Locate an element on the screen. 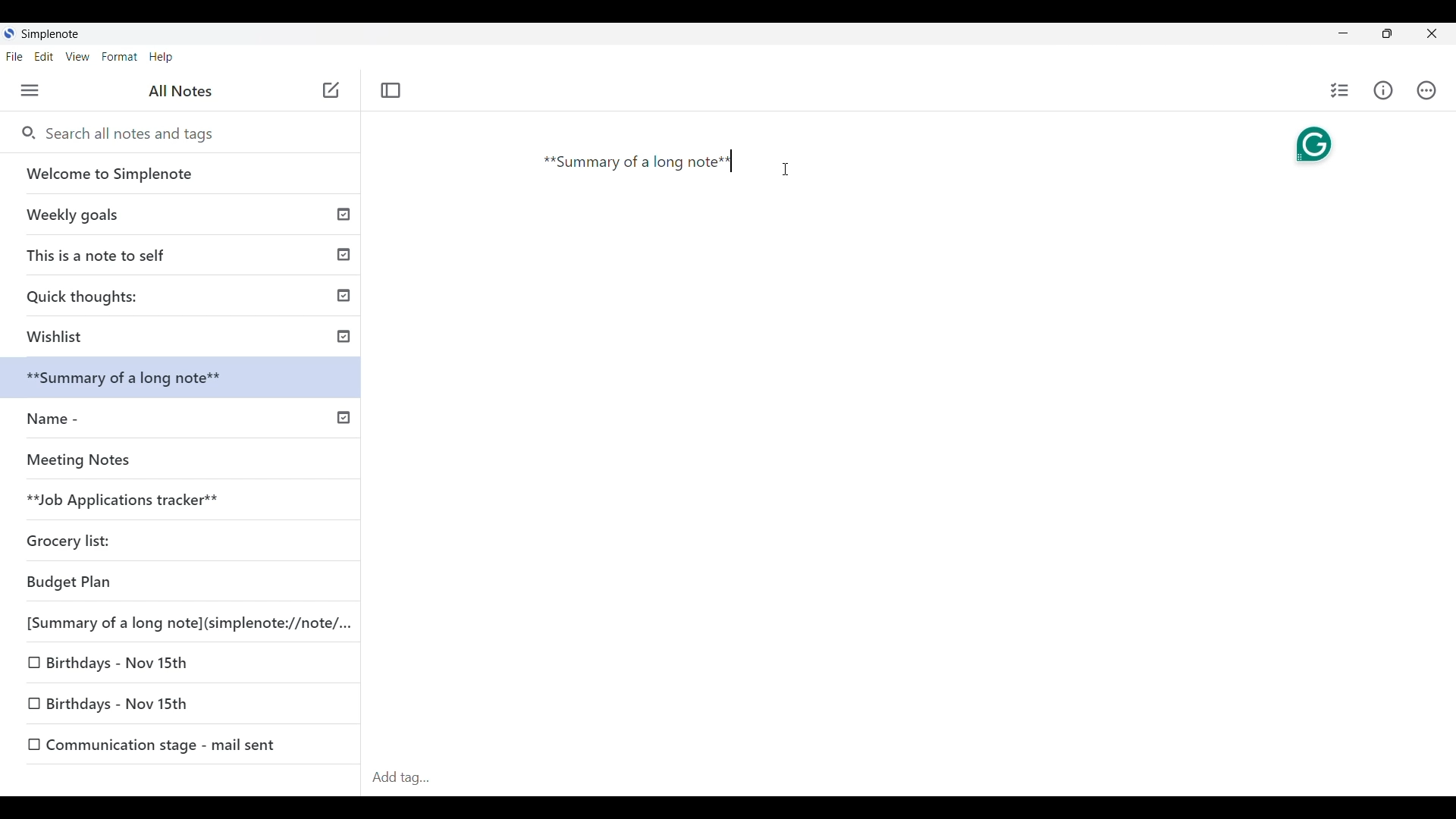  View is located at coordinates (78, 57).